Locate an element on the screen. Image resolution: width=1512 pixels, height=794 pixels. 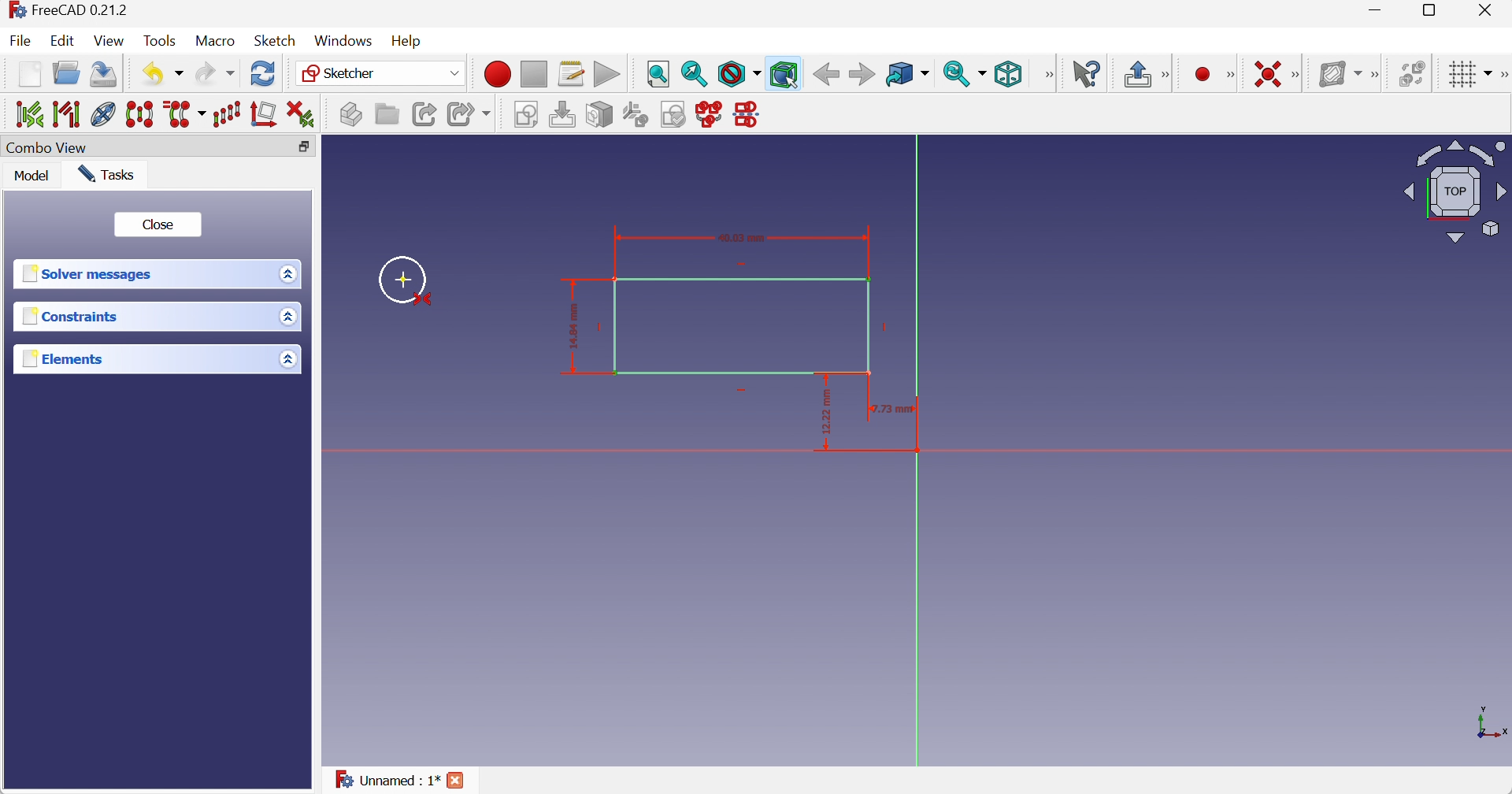
Redo is located at coordinates (215, 73).